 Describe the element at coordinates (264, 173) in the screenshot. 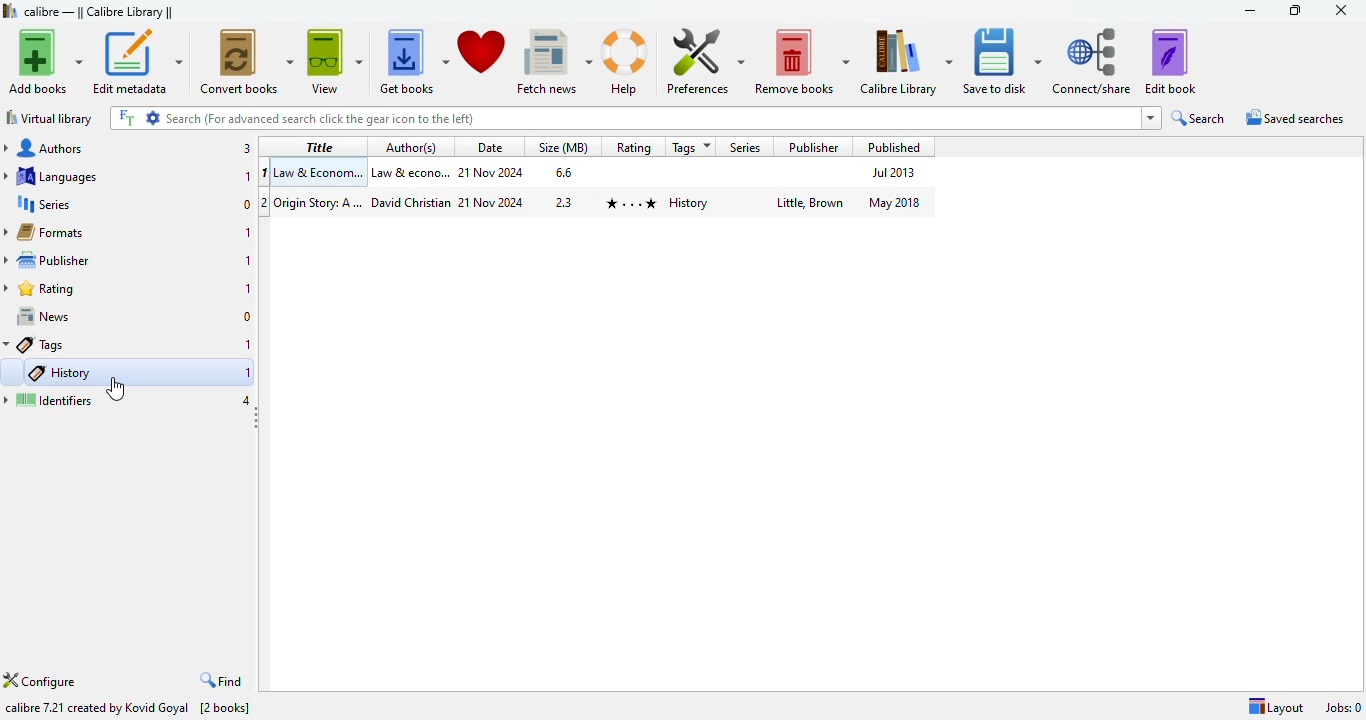

I see `1` at that location.